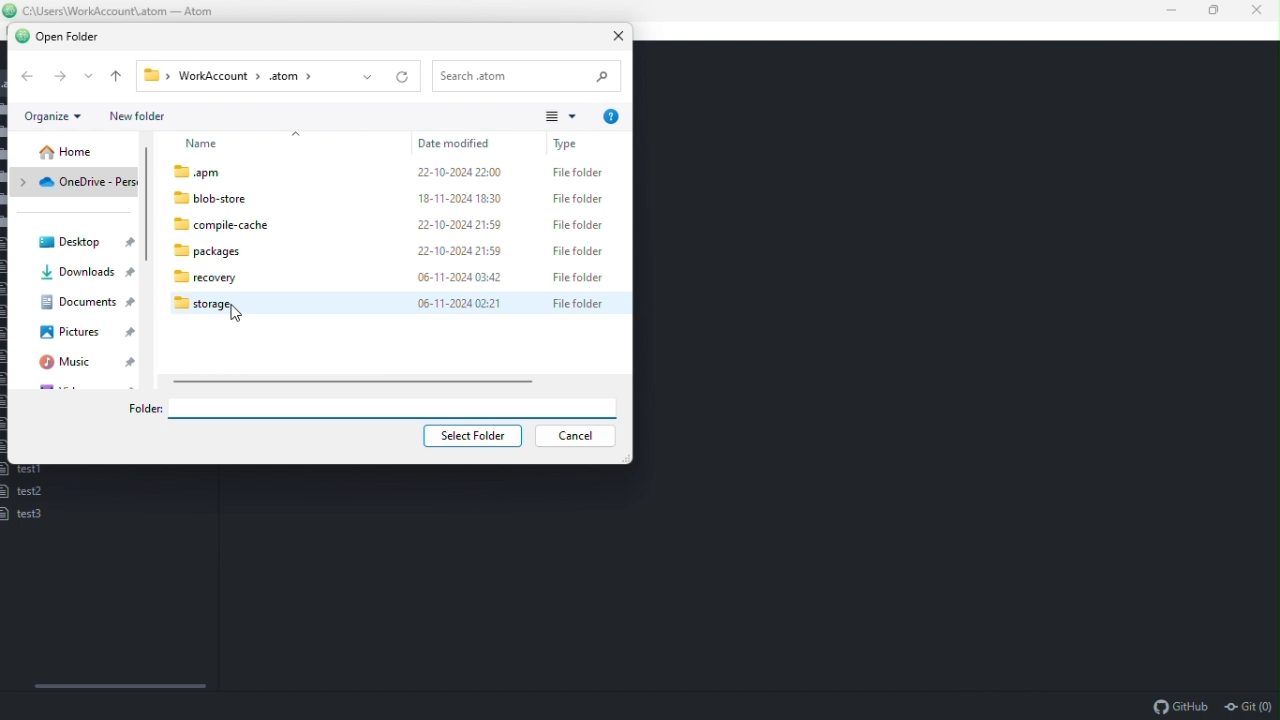  I want to click on horizontal scroll bar, so click(356, 383).